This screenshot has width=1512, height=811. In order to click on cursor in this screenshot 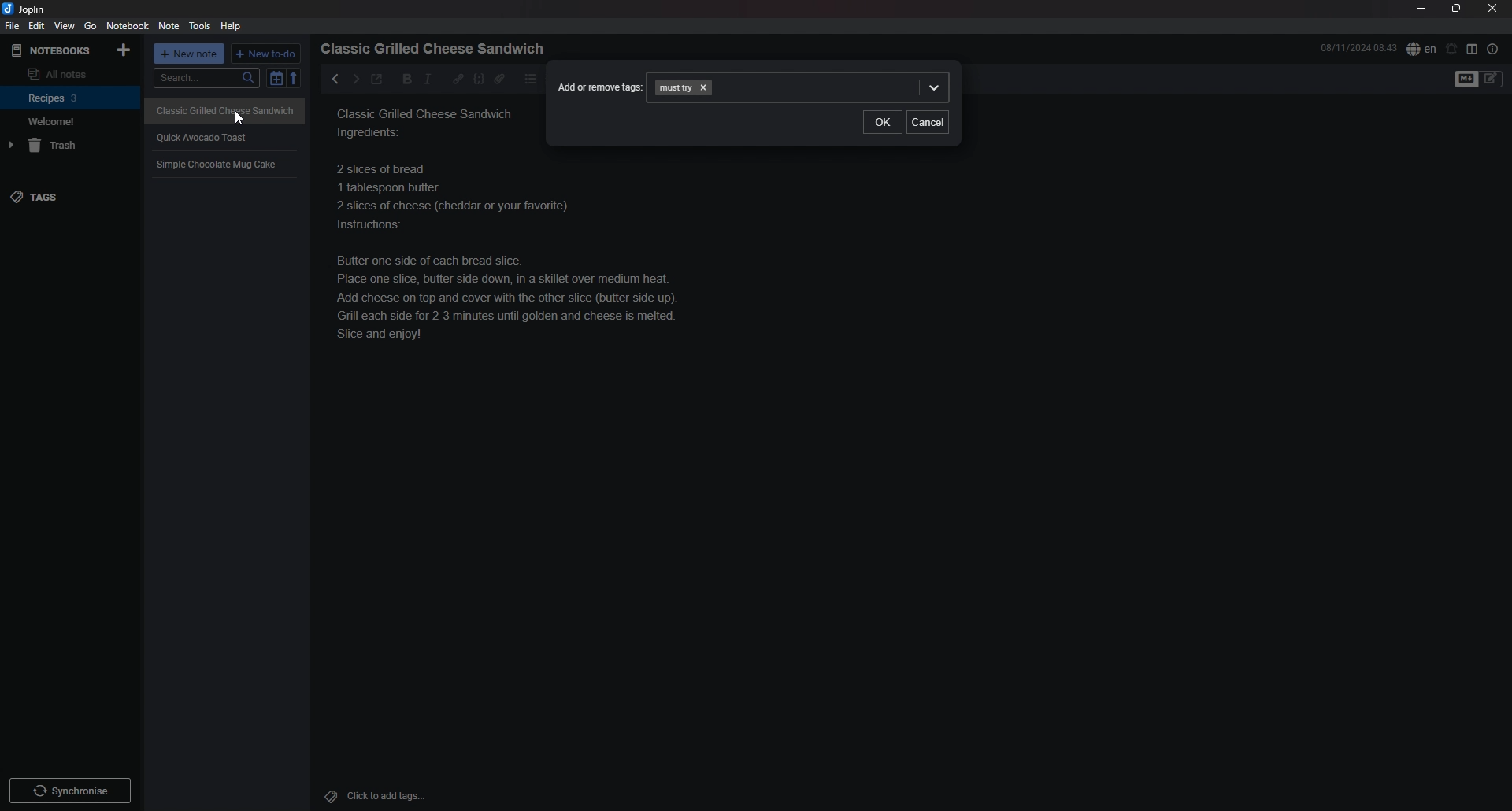, I will do `click(240, 119)`.